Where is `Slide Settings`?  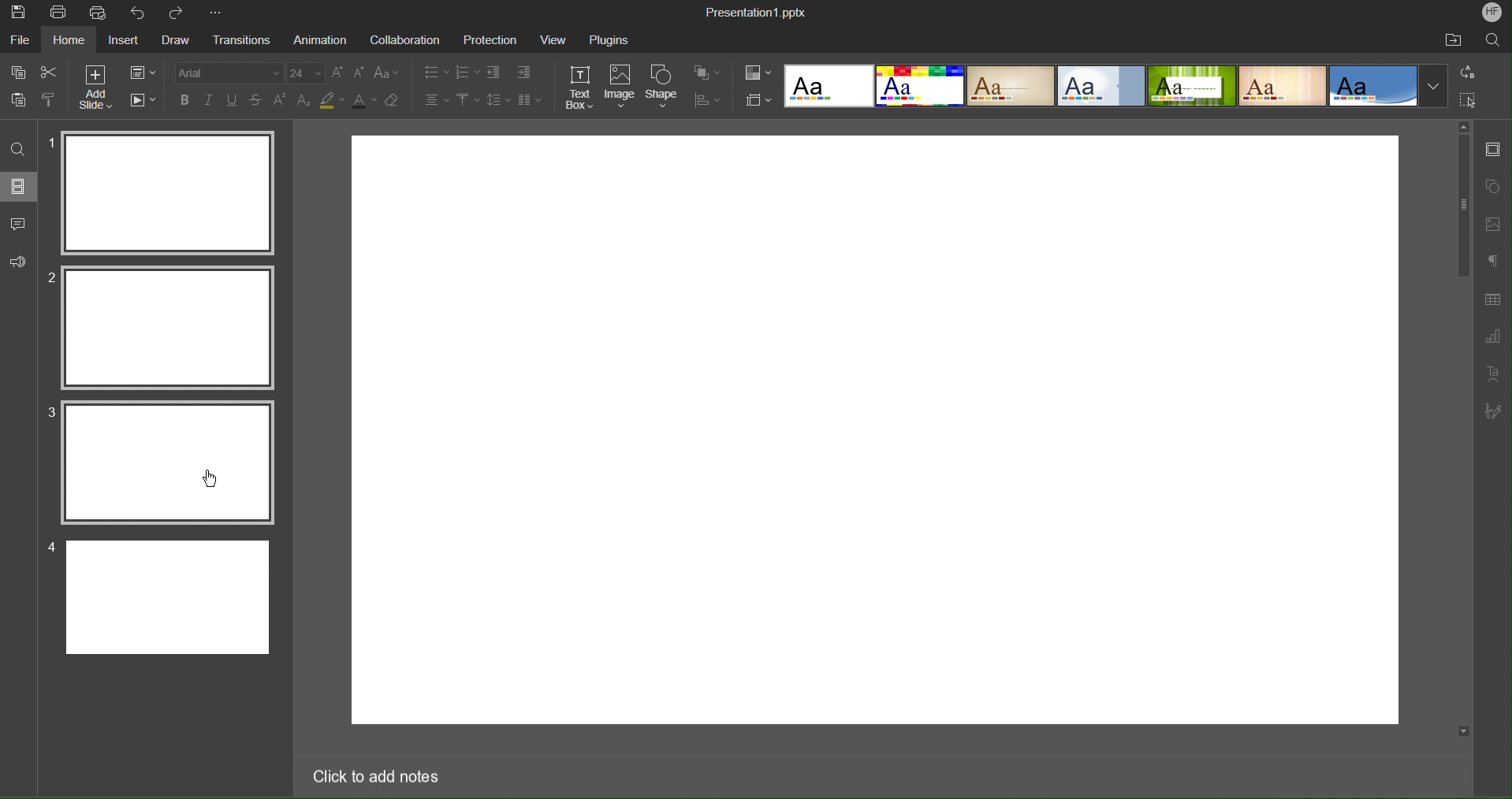
Slide Settings is located at coordinates (756, 99).